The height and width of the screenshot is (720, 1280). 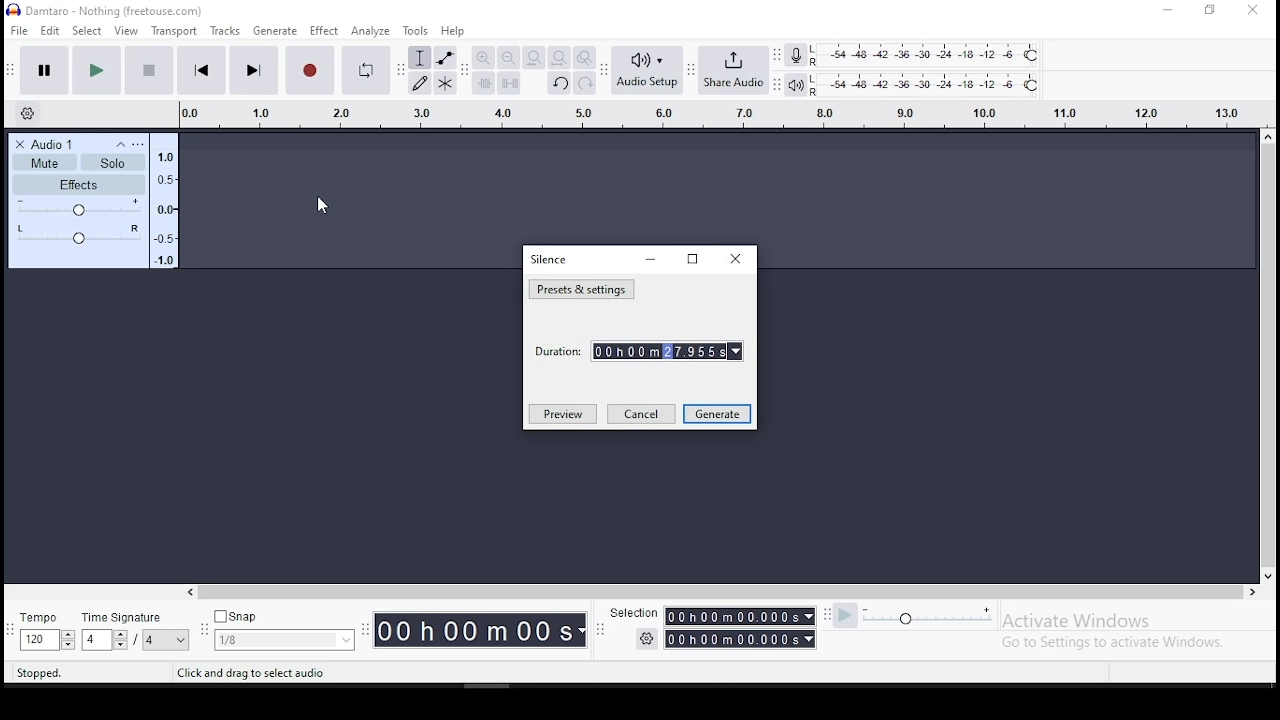 I want to click on mouse pointer, so click(x=321, y=205).